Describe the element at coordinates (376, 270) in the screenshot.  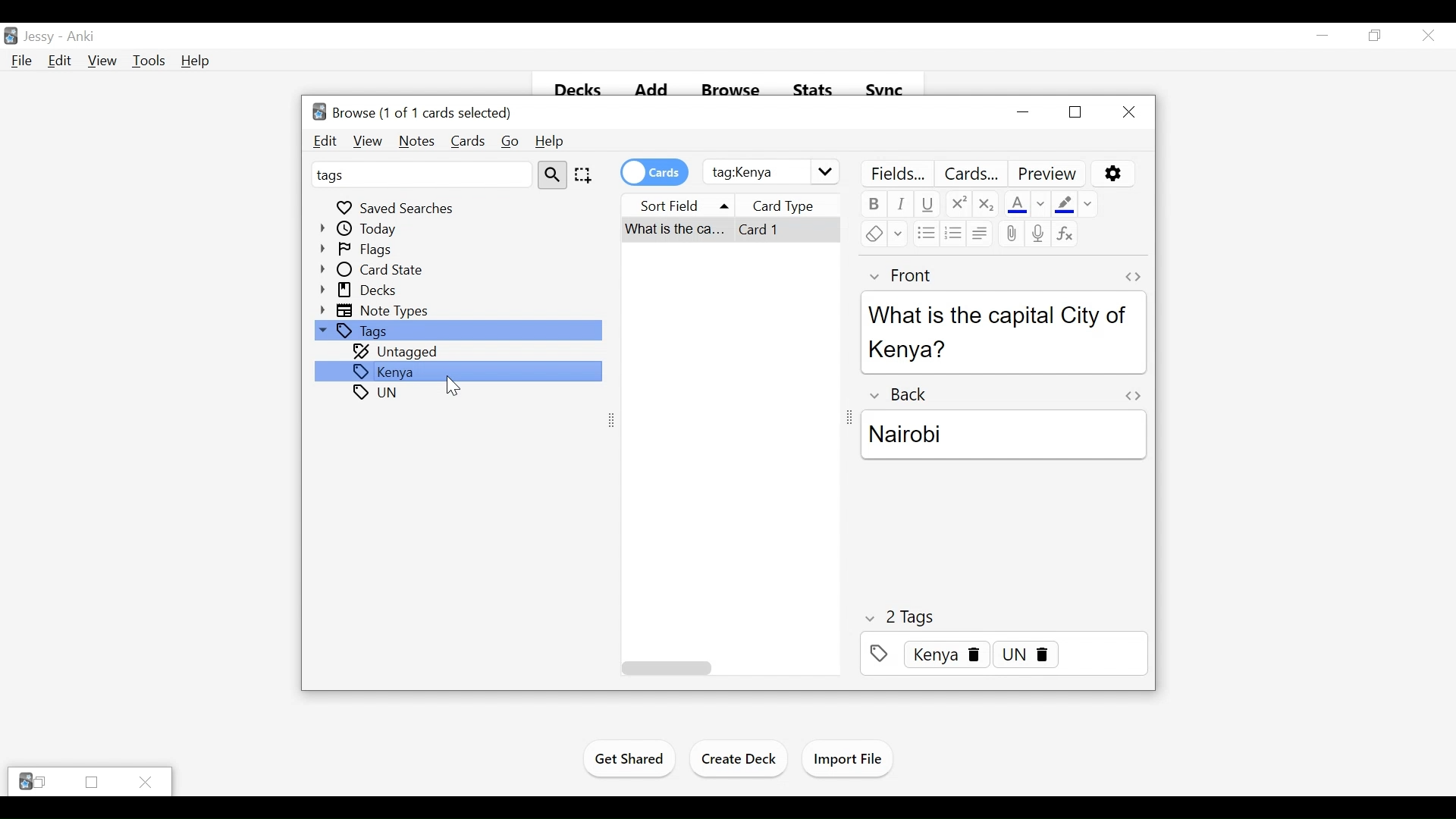
I see `Card State` at that location.